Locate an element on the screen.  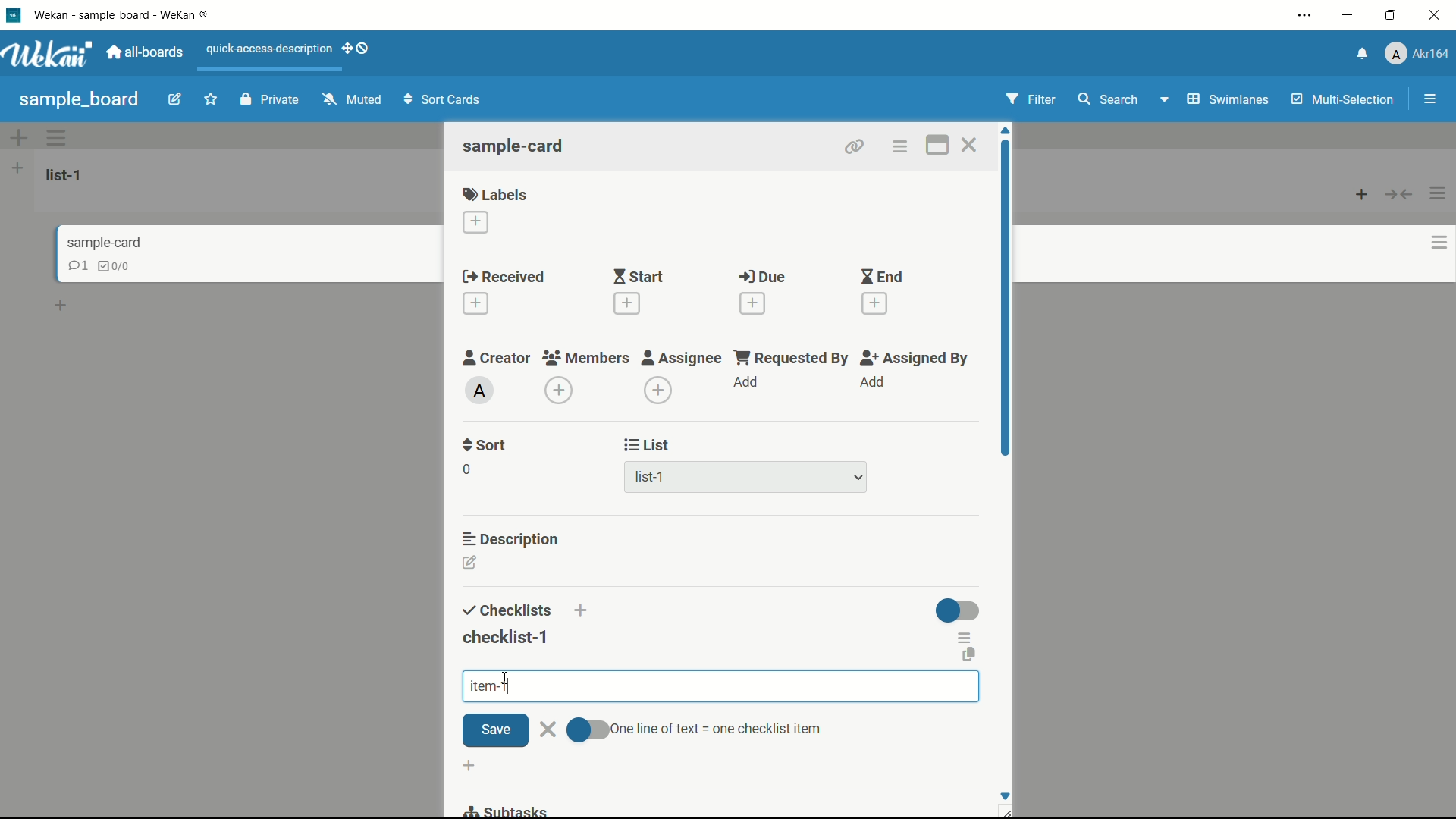
dropdown is located at coordinates (859, 478).